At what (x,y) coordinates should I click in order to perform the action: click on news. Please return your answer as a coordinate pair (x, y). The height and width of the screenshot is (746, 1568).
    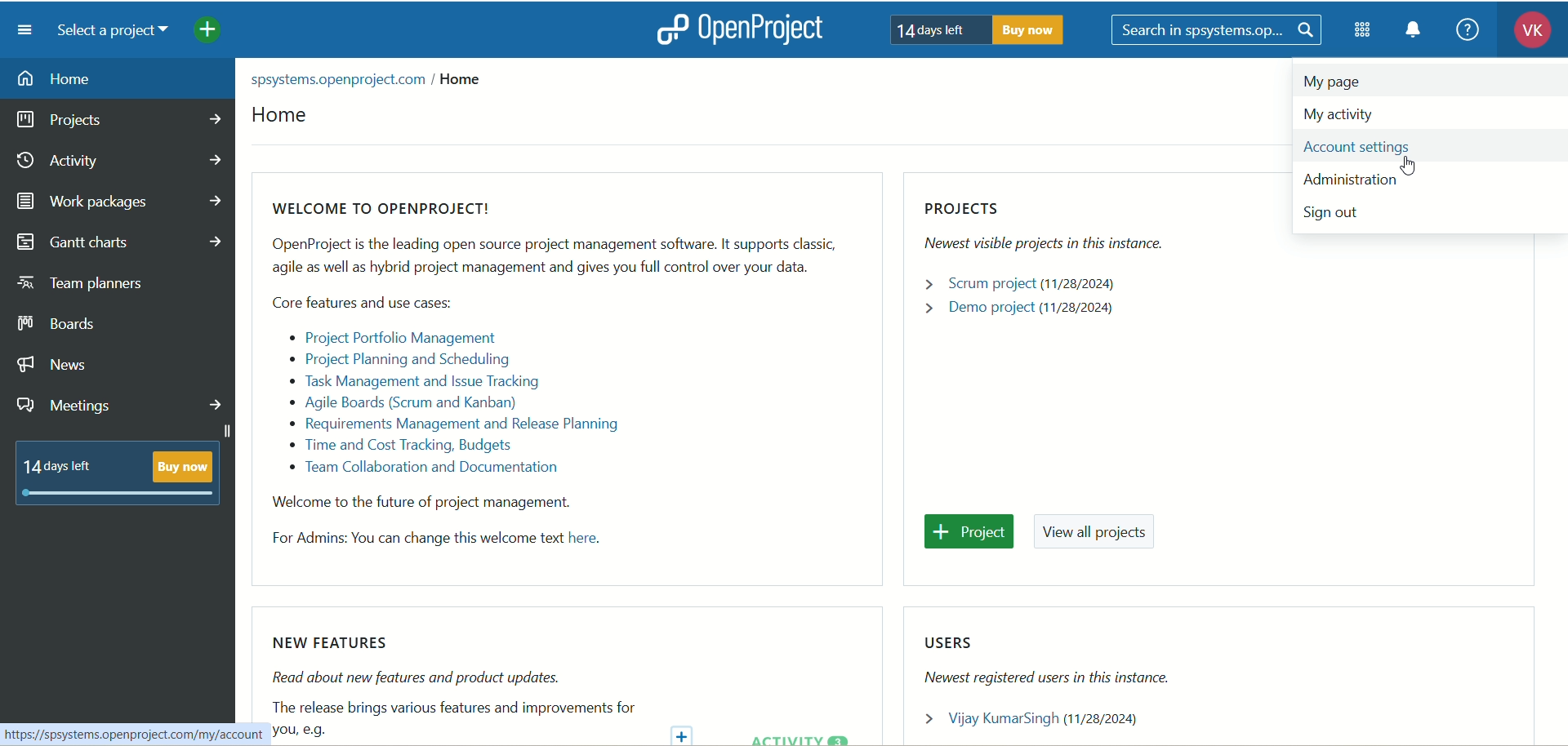
    Looking at the image, I should click on (53, 366).